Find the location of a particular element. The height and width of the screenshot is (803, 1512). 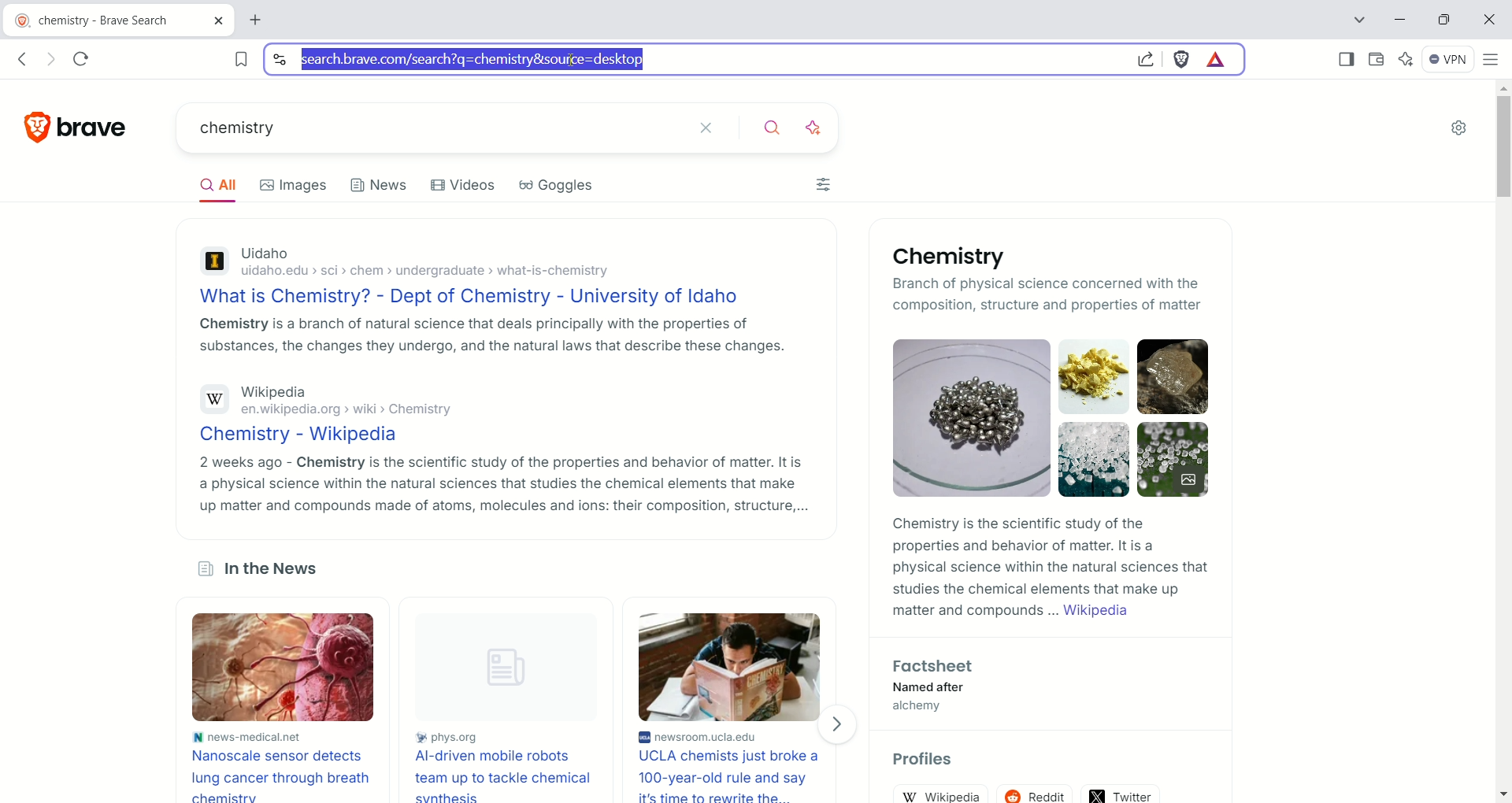

twitter is located at coordinates (1121, 794).